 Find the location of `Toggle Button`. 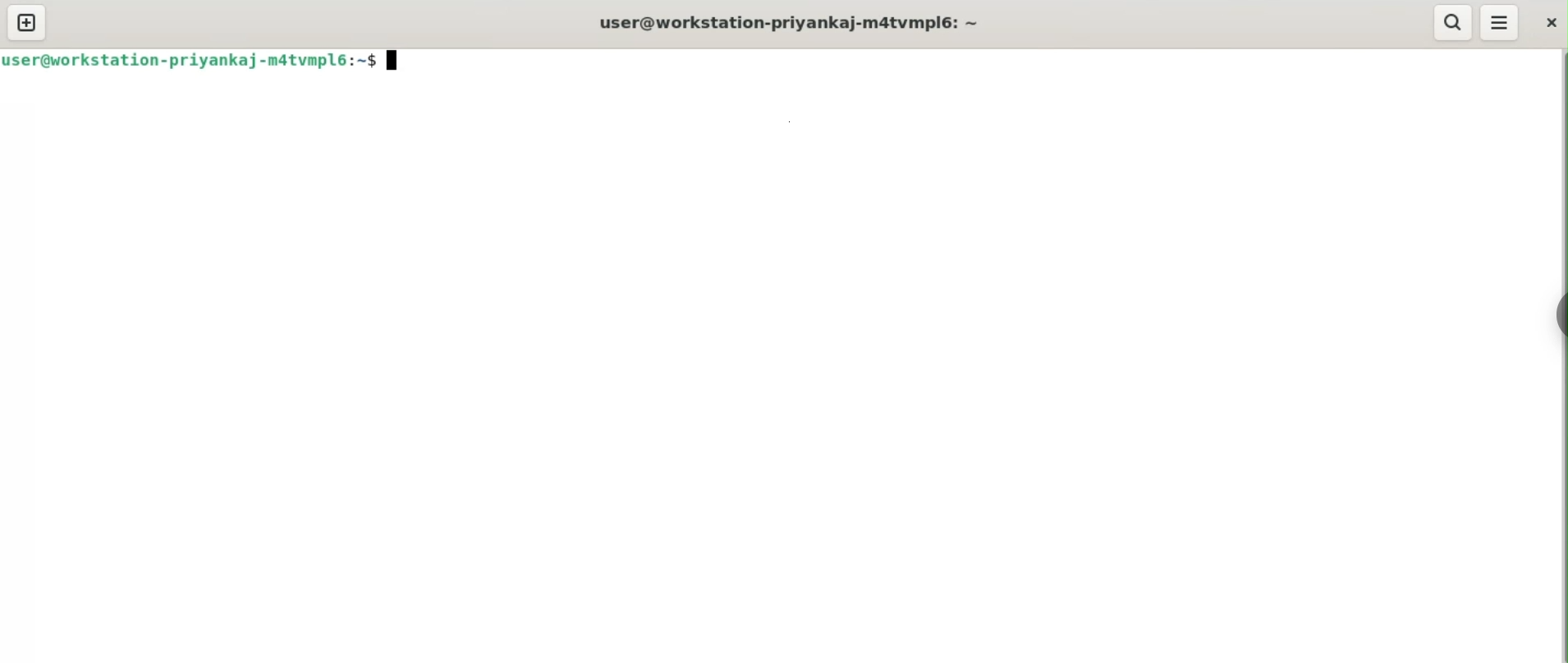

Toggle Button is located at coordinates (1558, 315).